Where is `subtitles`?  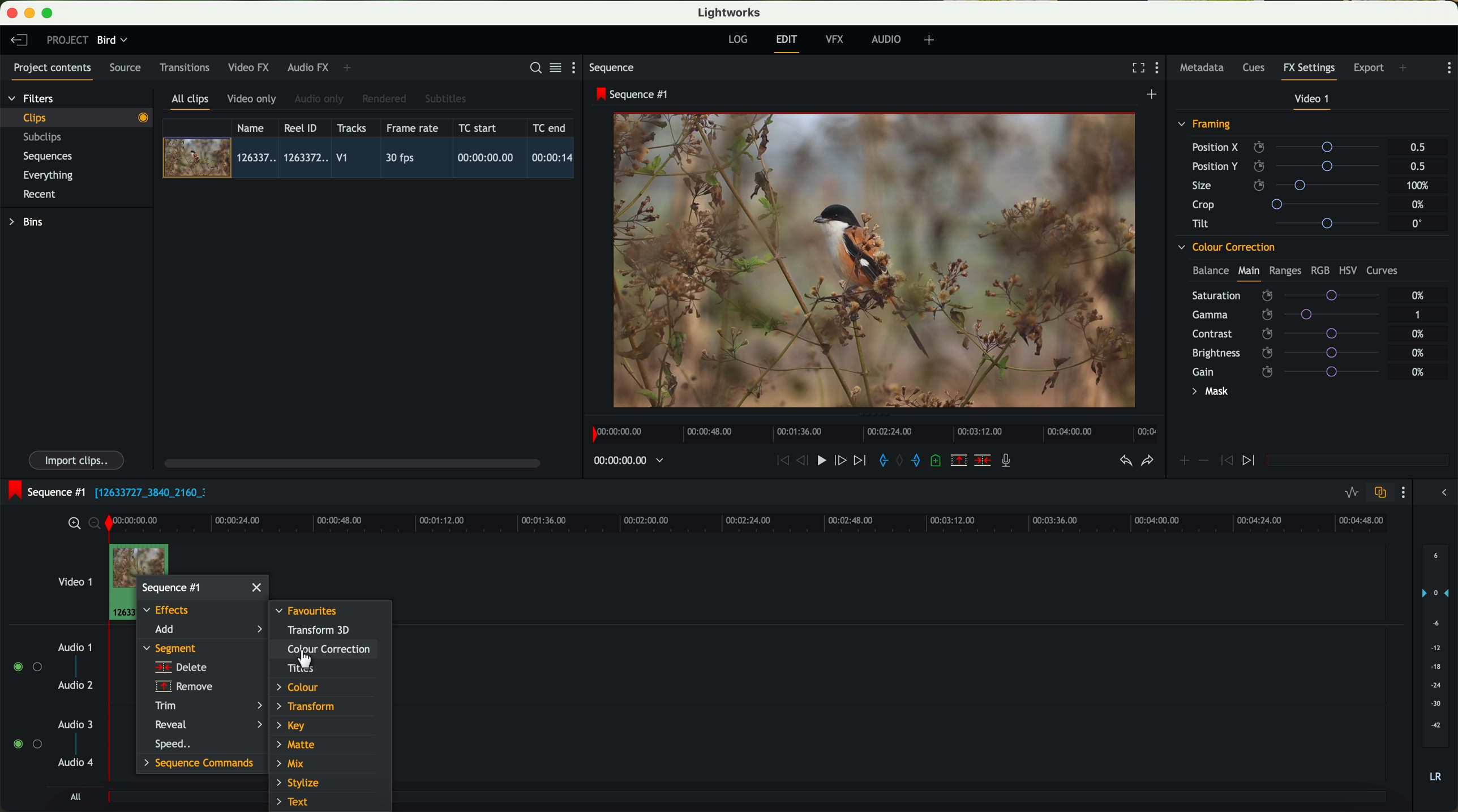 subtitles is located at coordinates (444, 99).